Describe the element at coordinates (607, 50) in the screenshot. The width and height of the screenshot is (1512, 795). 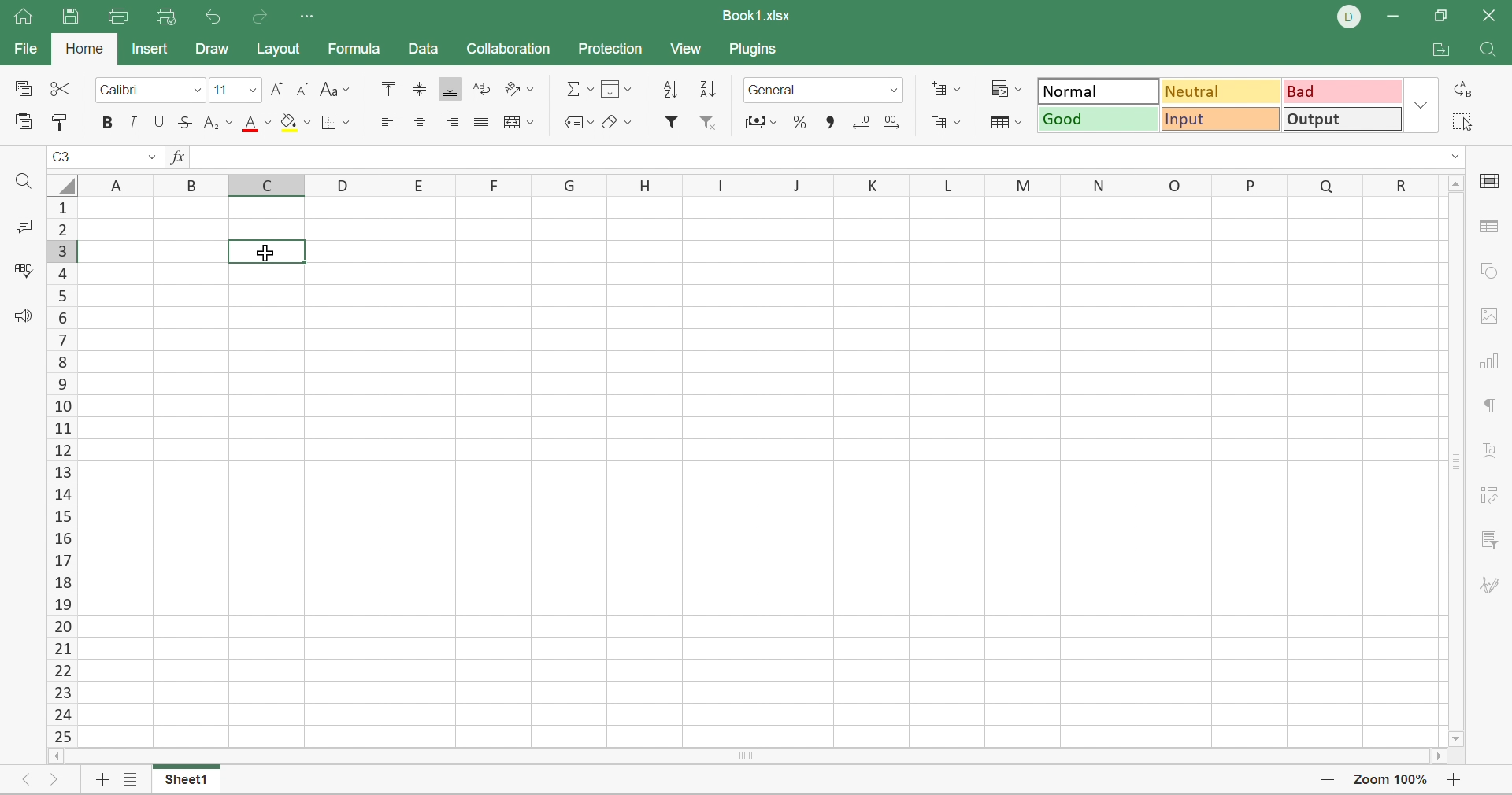
I see `Protection` at that location.